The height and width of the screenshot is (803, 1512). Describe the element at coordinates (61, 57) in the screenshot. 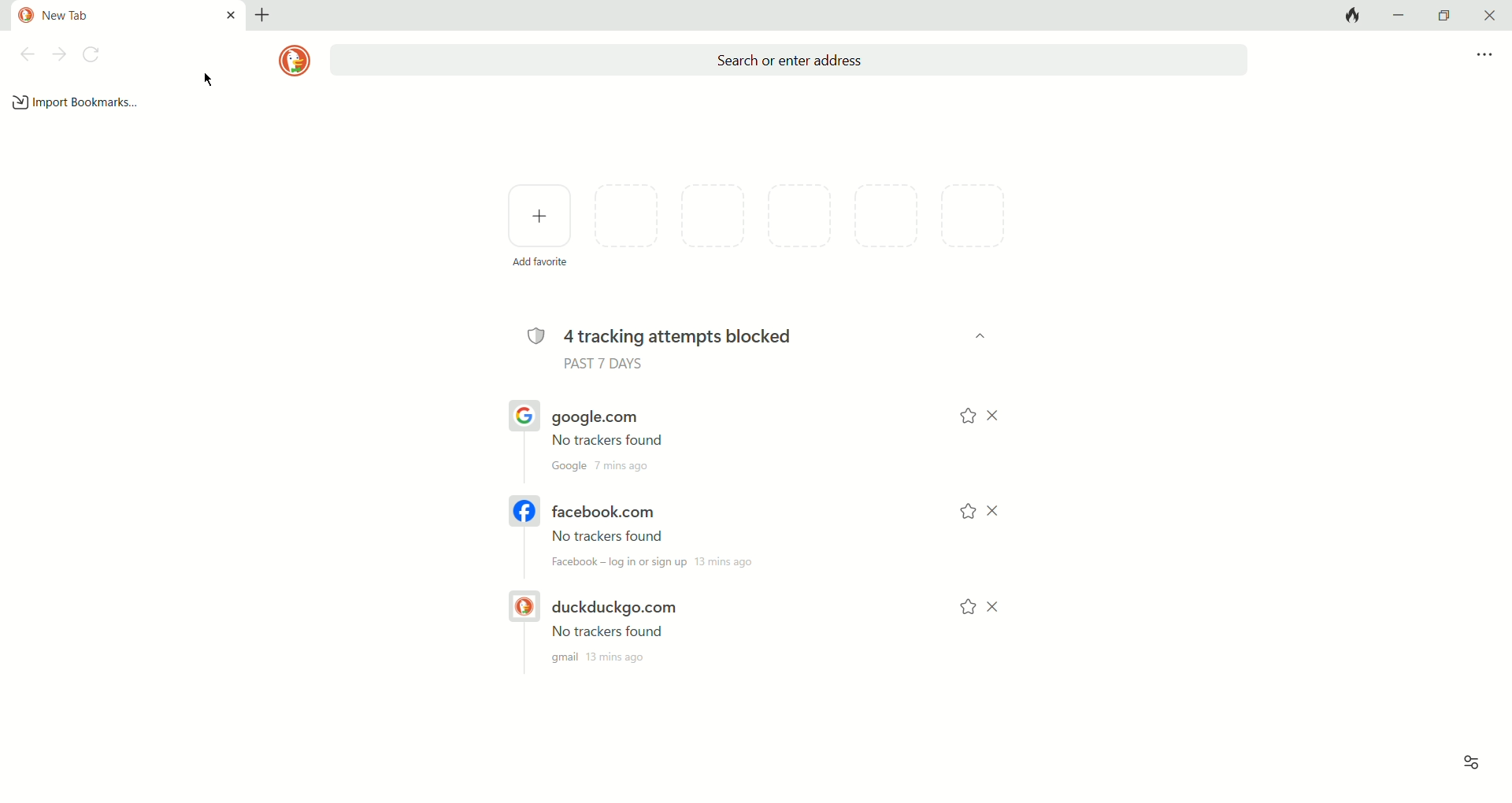

I see `next` at that location.